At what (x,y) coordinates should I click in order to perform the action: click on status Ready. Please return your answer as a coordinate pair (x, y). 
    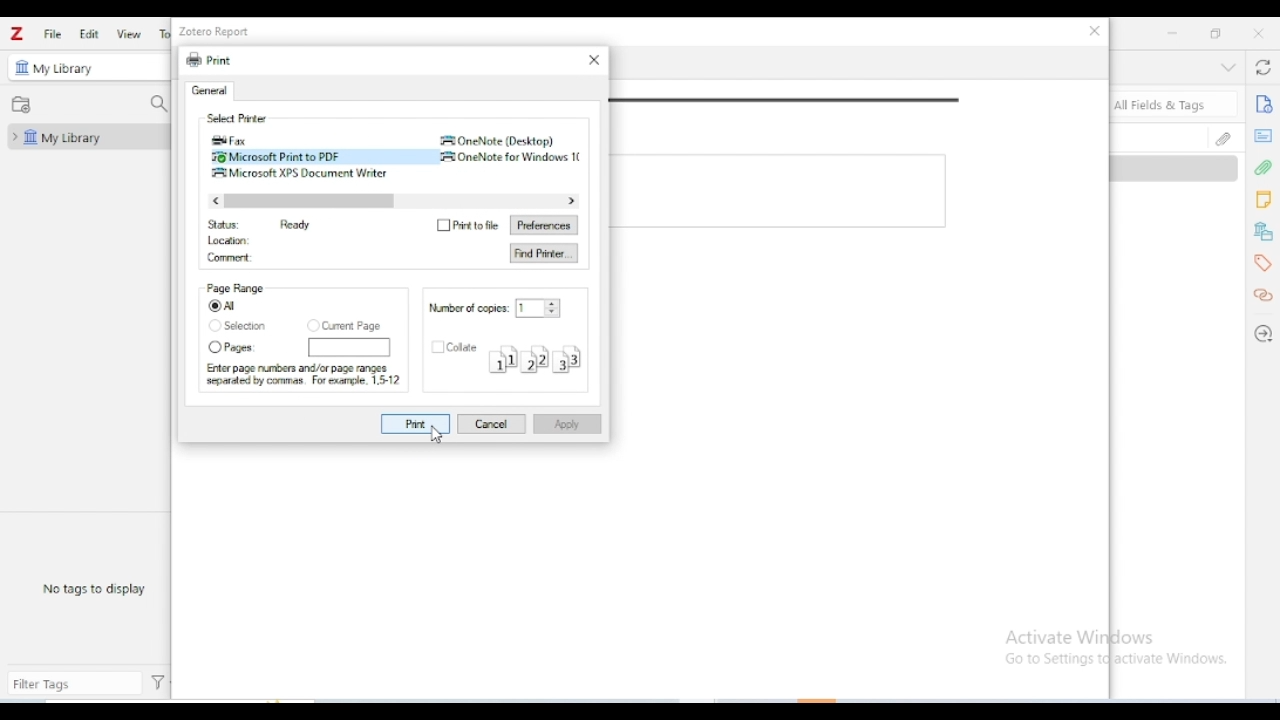
    Looking at the image, I should click on (262, 224).